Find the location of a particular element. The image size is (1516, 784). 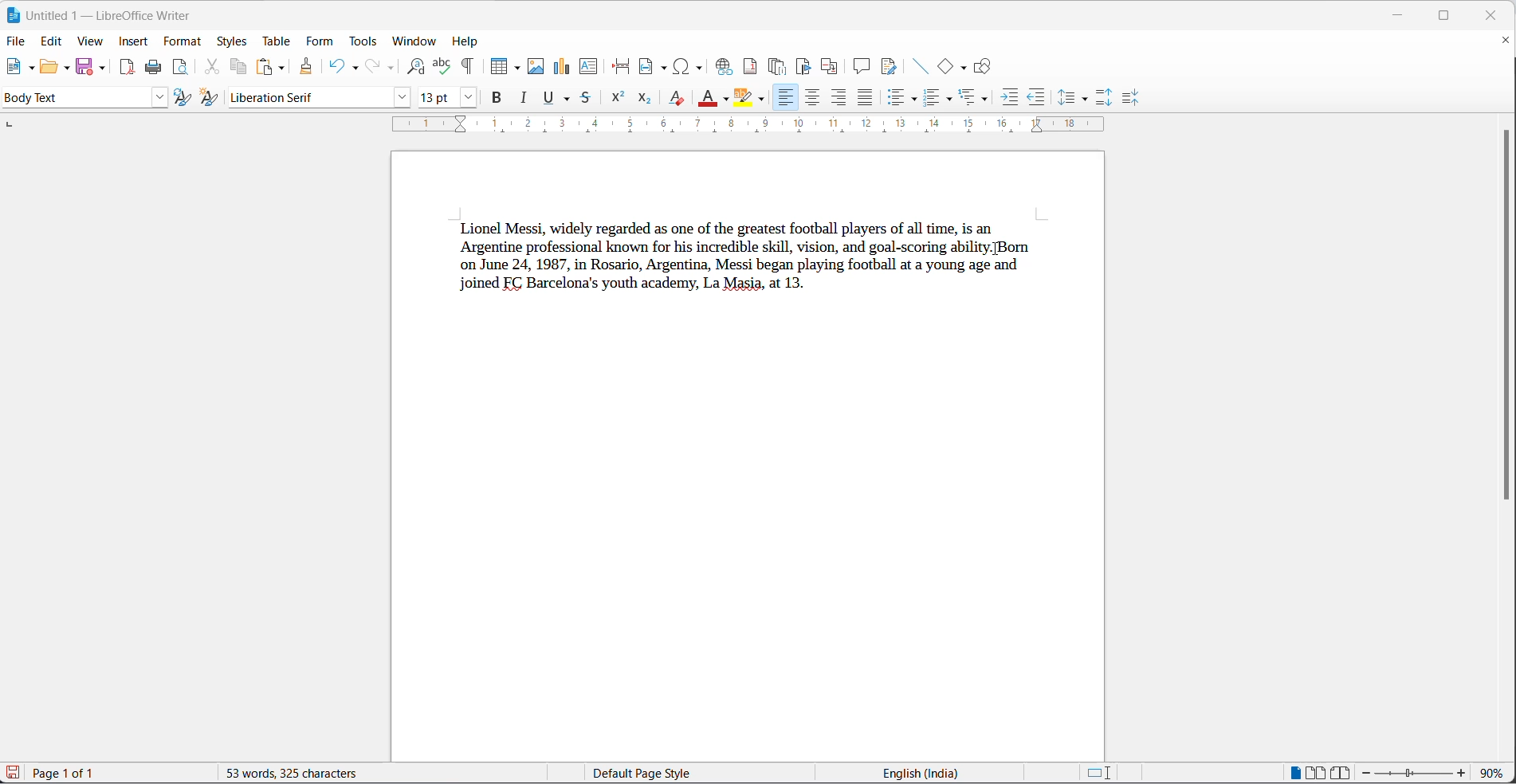

toggle ordered list  is located at coordinates (933, 97).